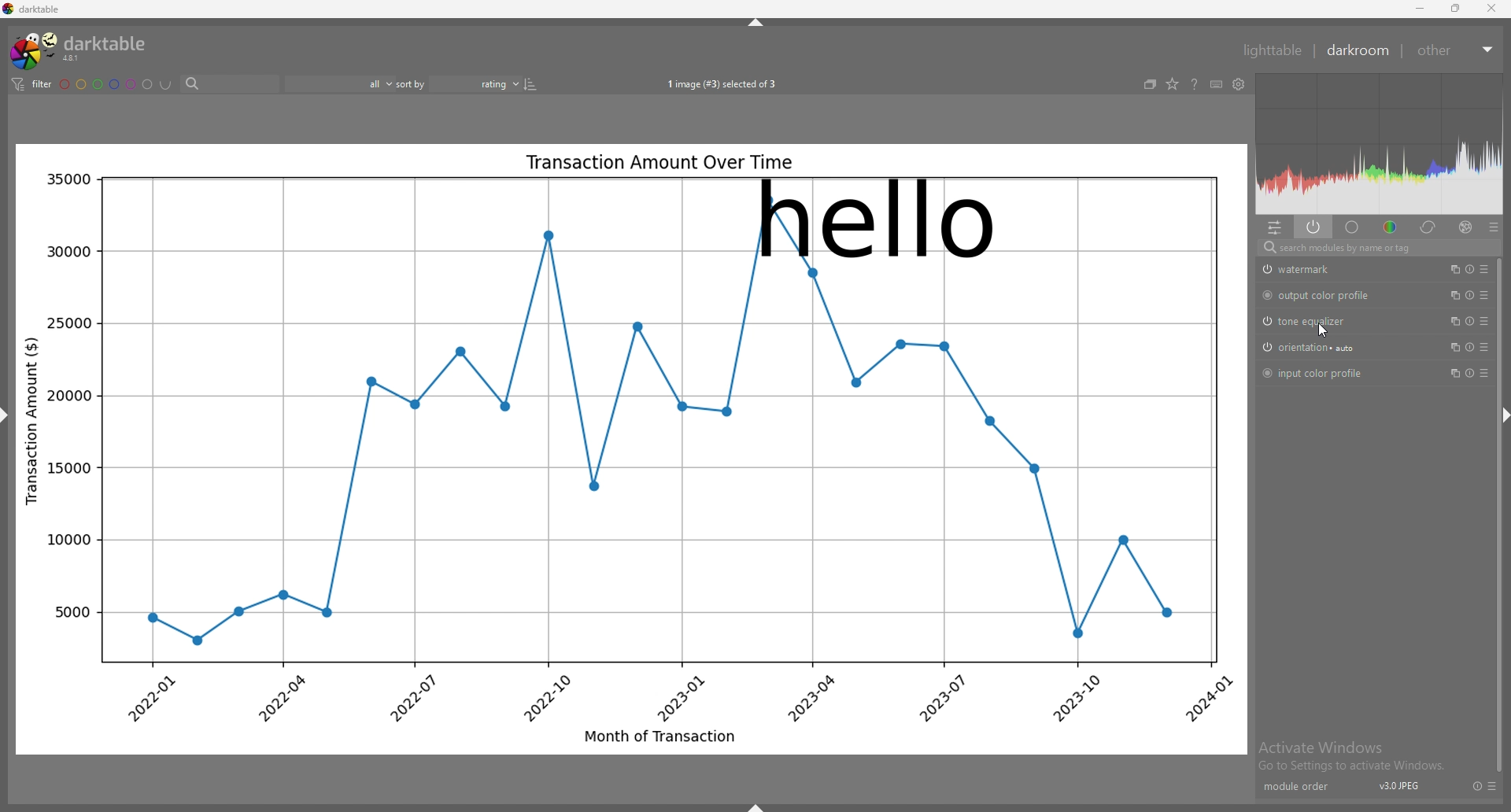 Image resolution: width=1511 pixels, height=812 pixels. I want to click on close, so click(1490, 8).